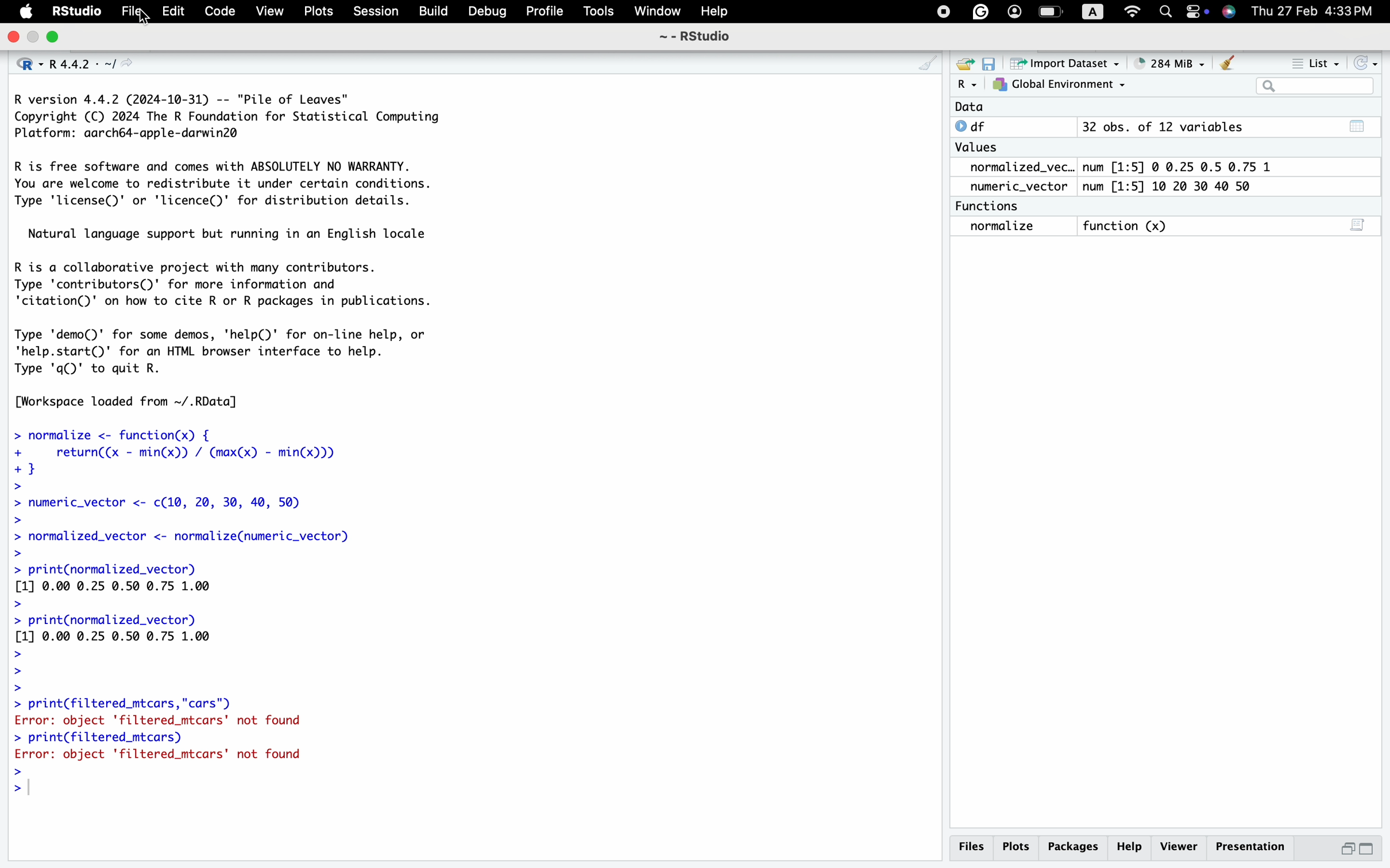 Image resolution: width=1390 pixels, height=868 pixels. I want to click on SIRI, so click(1232, 13).